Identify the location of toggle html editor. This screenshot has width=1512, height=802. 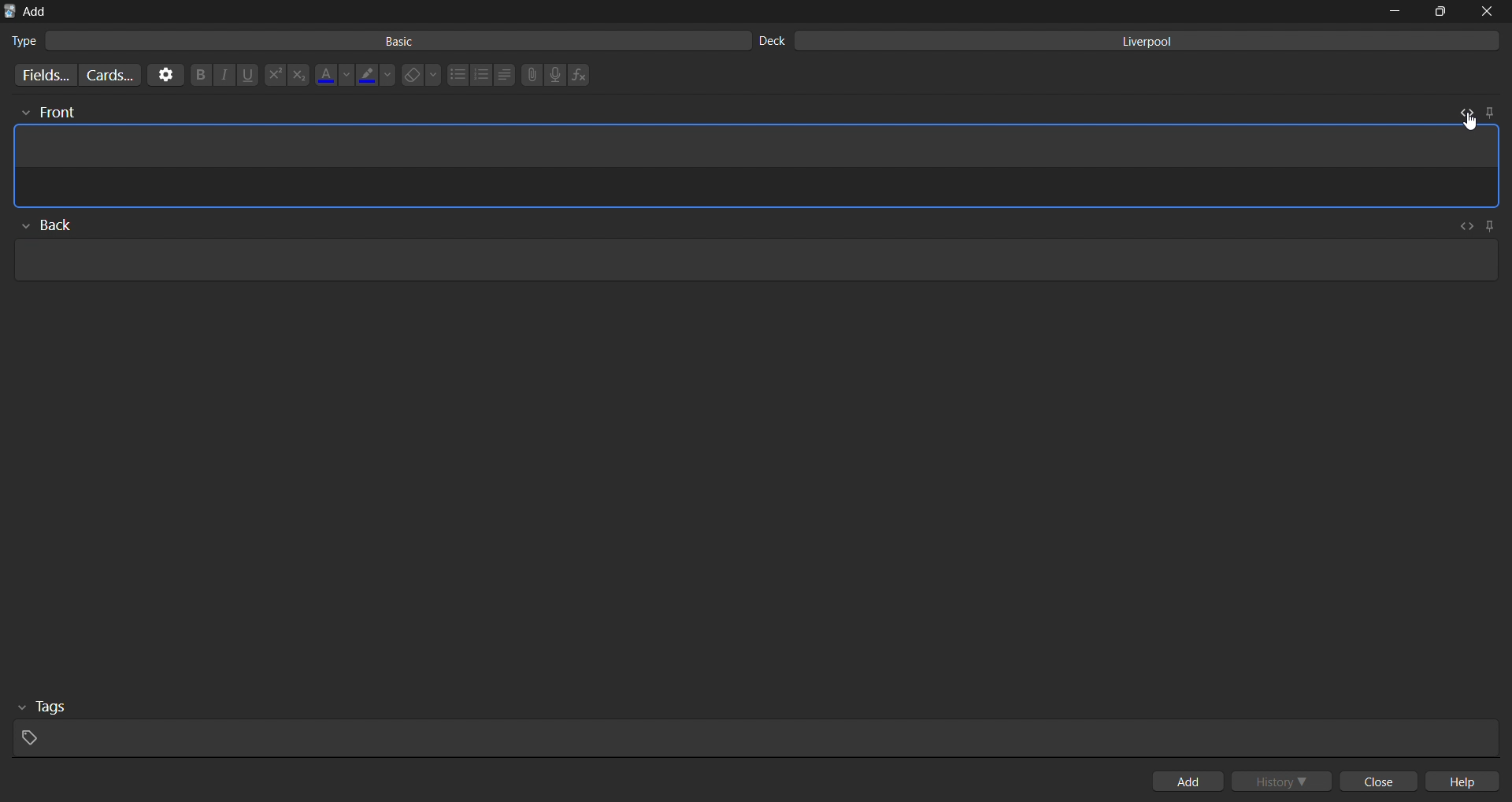
(1468, 225).